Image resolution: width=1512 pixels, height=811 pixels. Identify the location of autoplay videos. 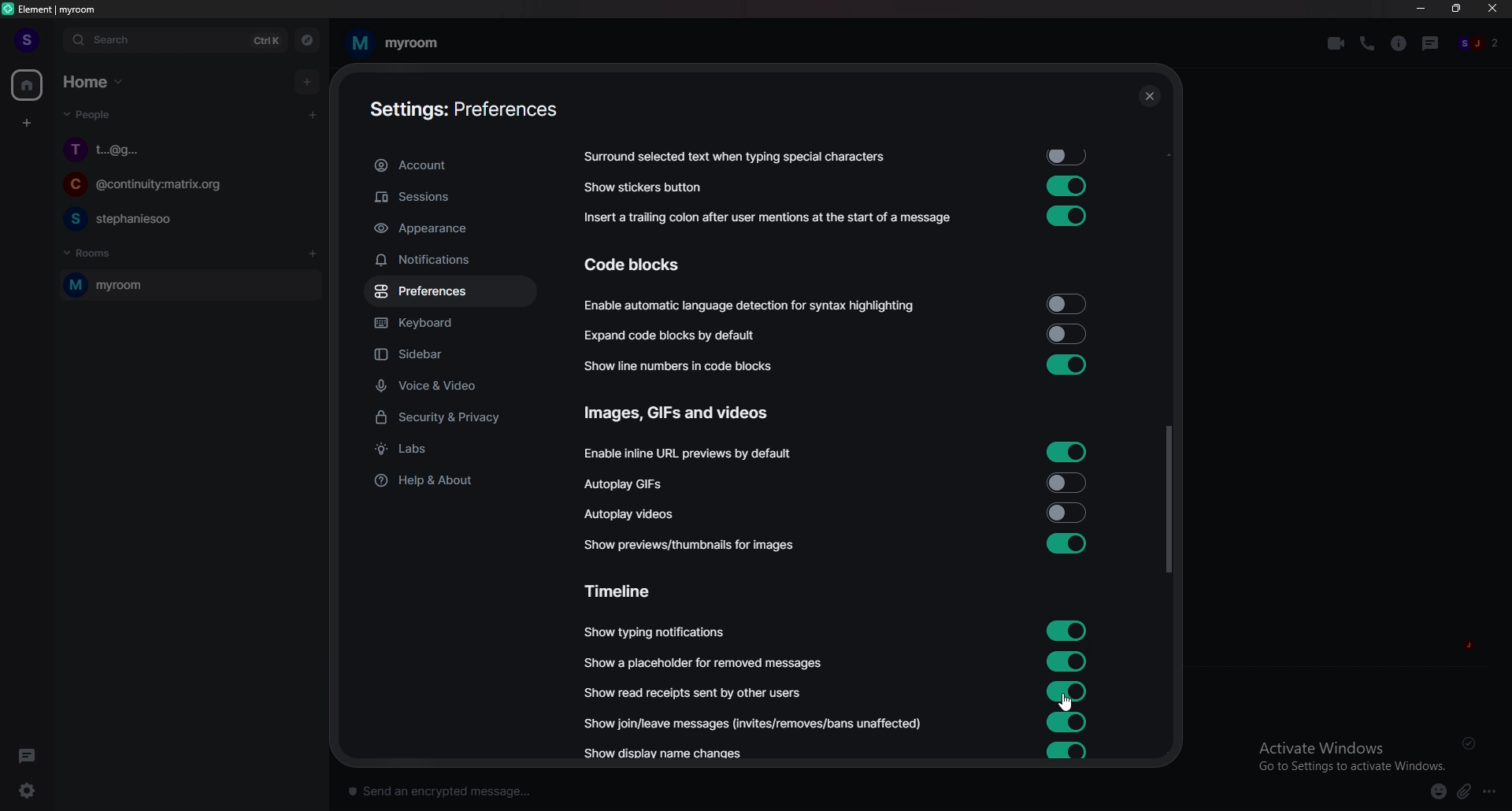
(630, 513).